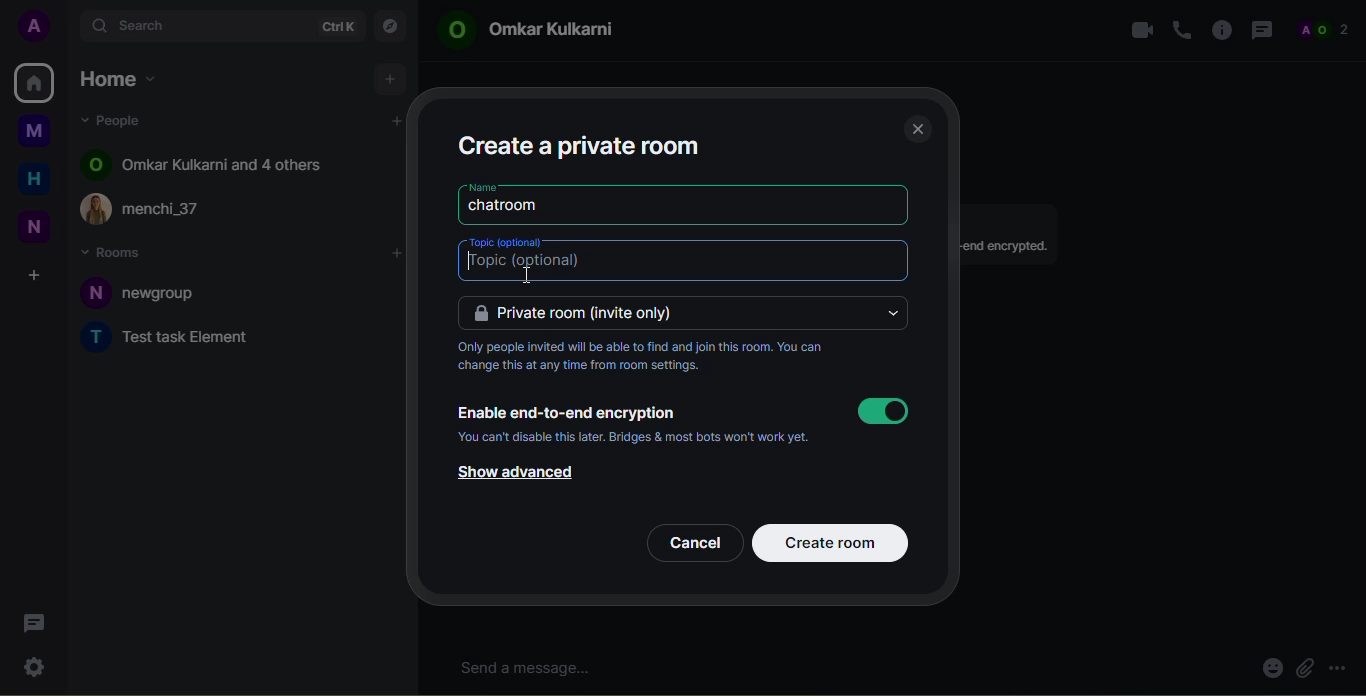 Image resolution: width=1366 pixels, height=696 pixels. Describe the element at coordinates (389, 27) in the screenshot. I see `explore rooms` at that location.